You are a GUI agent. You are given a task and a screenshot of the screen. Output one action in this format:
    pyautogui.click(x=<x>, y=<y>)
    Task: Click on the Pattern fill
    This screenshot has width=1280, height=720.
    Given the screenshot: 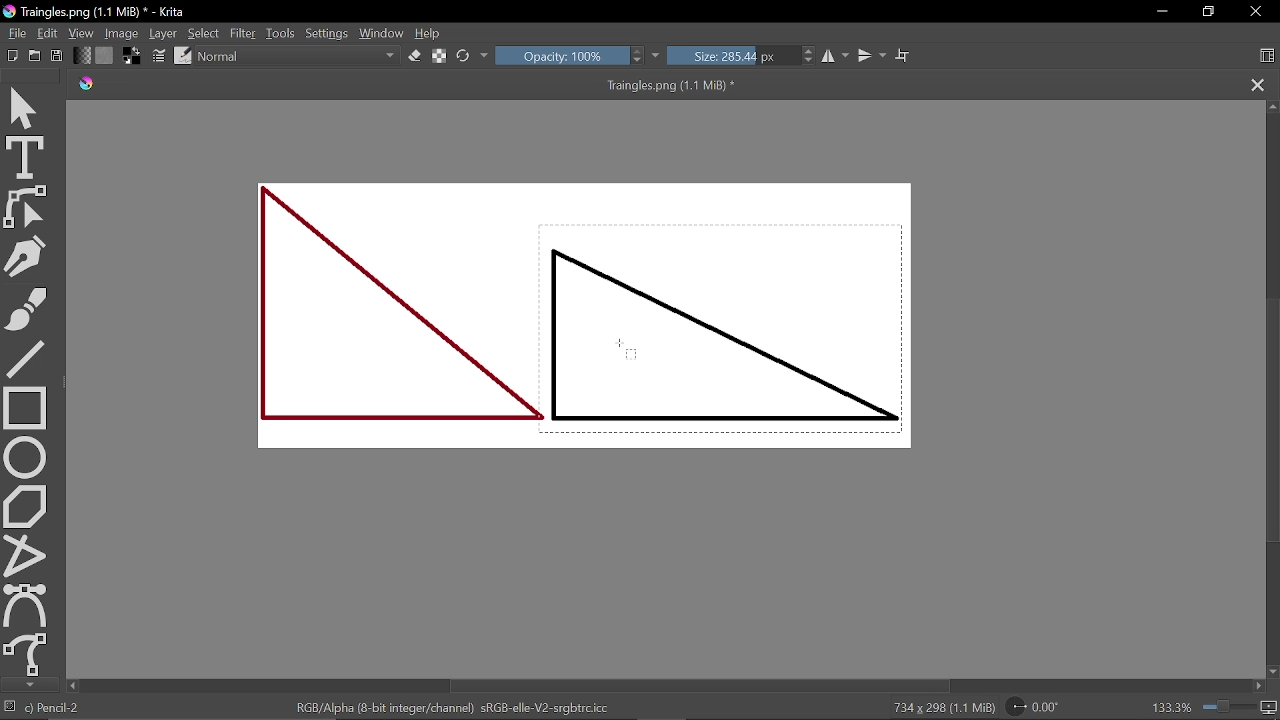 What is the action you would take?
    pyautogui.click(x=106, y=56)
    